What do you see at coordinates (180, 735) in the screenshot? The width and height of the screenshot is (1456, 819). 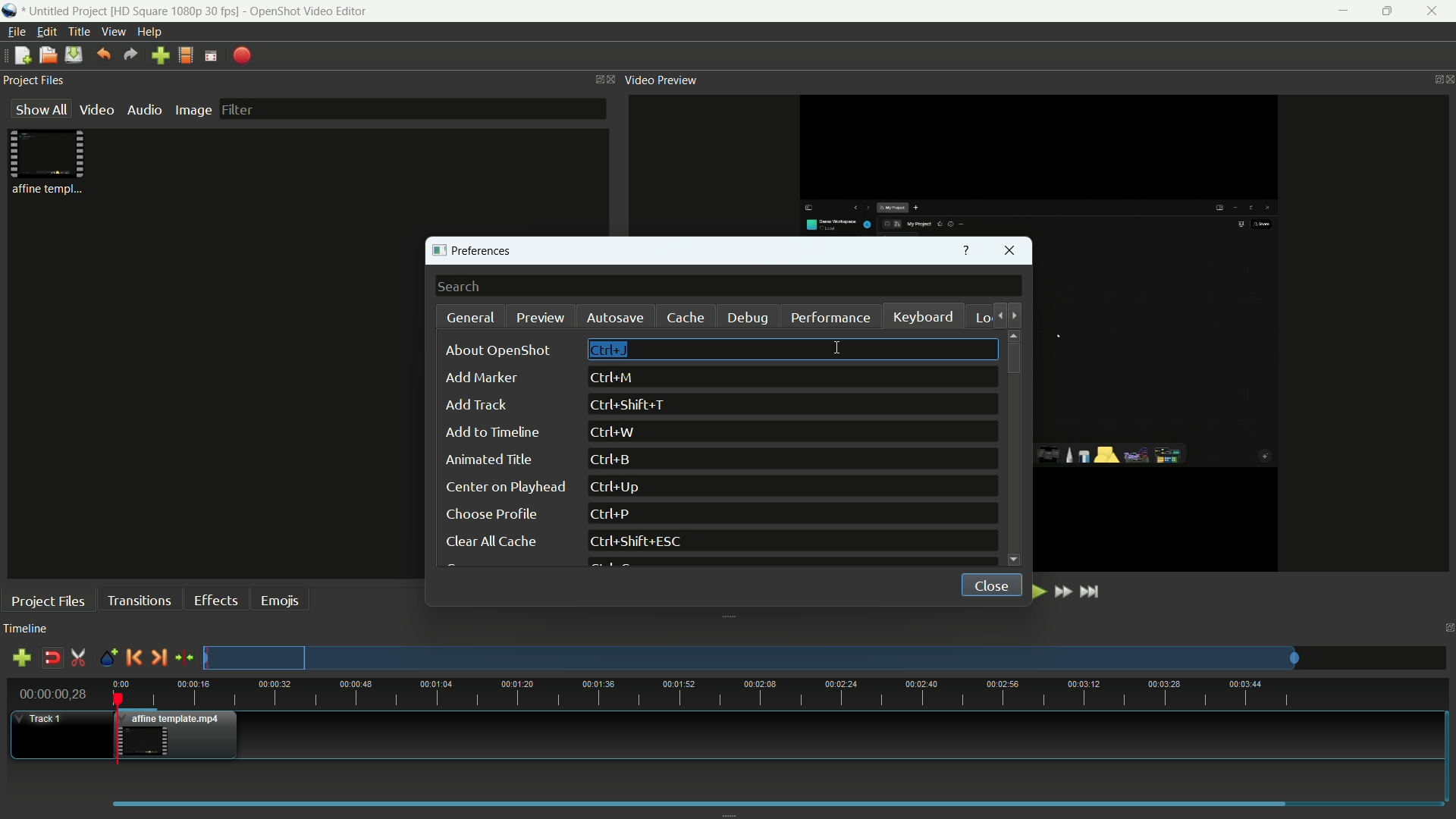 I see `video in timeline` at bounding box center [180, 735].